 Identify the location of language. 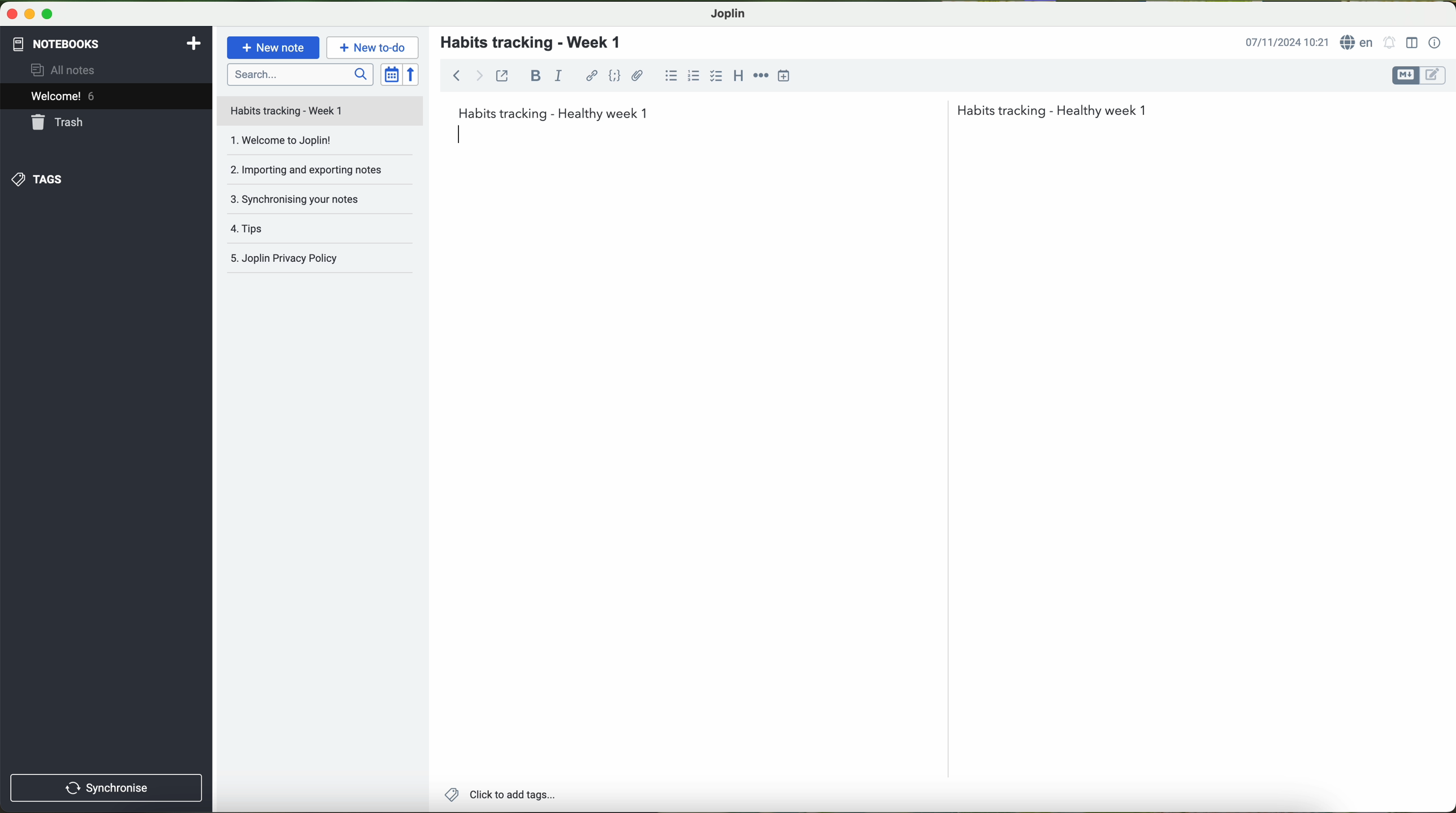
(1358, 42).